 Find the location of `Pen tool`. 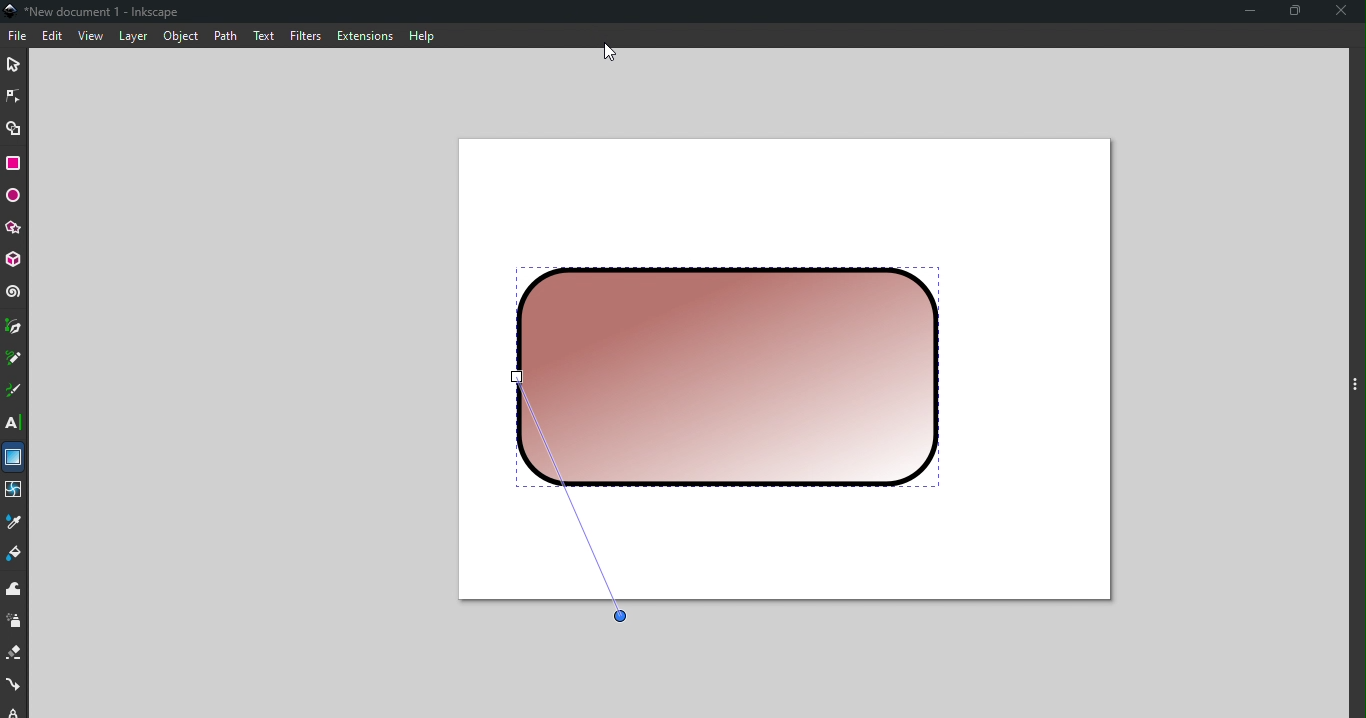

Pen tool is located at coordinates (14, 328).